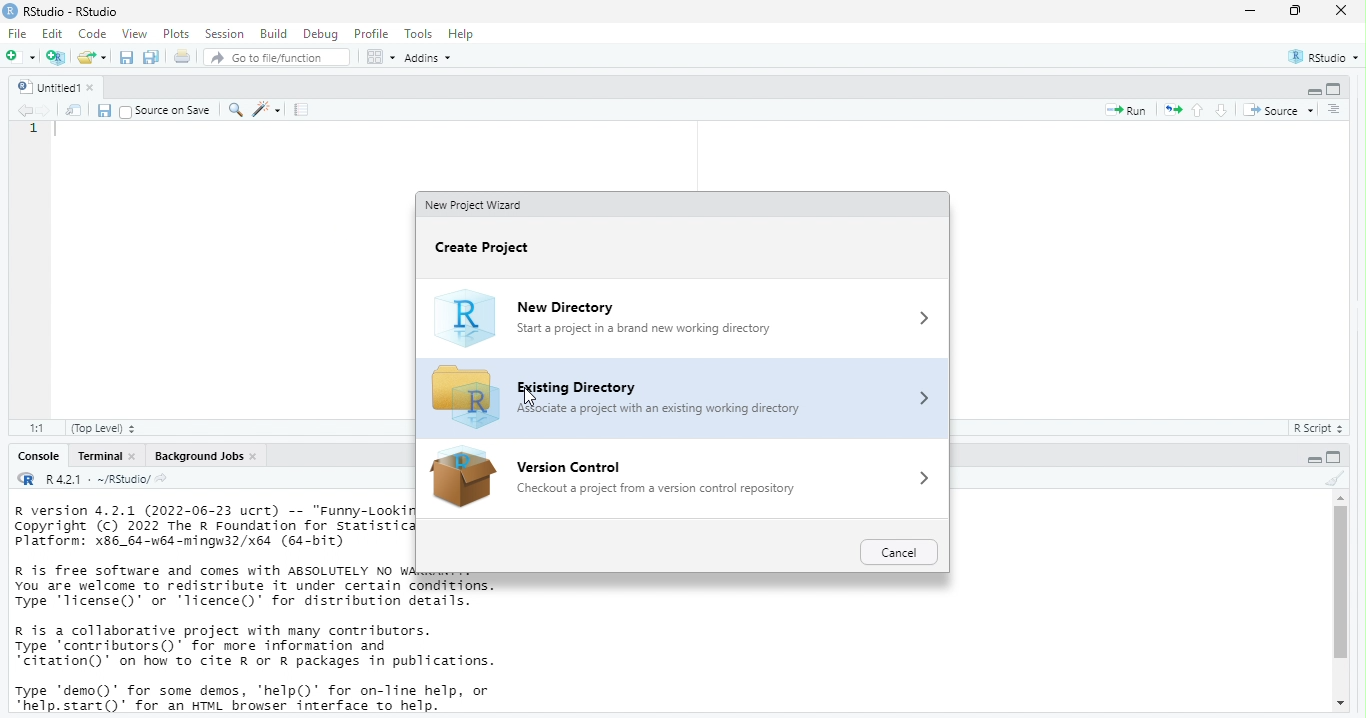  What do you see at coordinates (230, 276) in the screenshot?
I see `code area` at bounding box center [230, 276].